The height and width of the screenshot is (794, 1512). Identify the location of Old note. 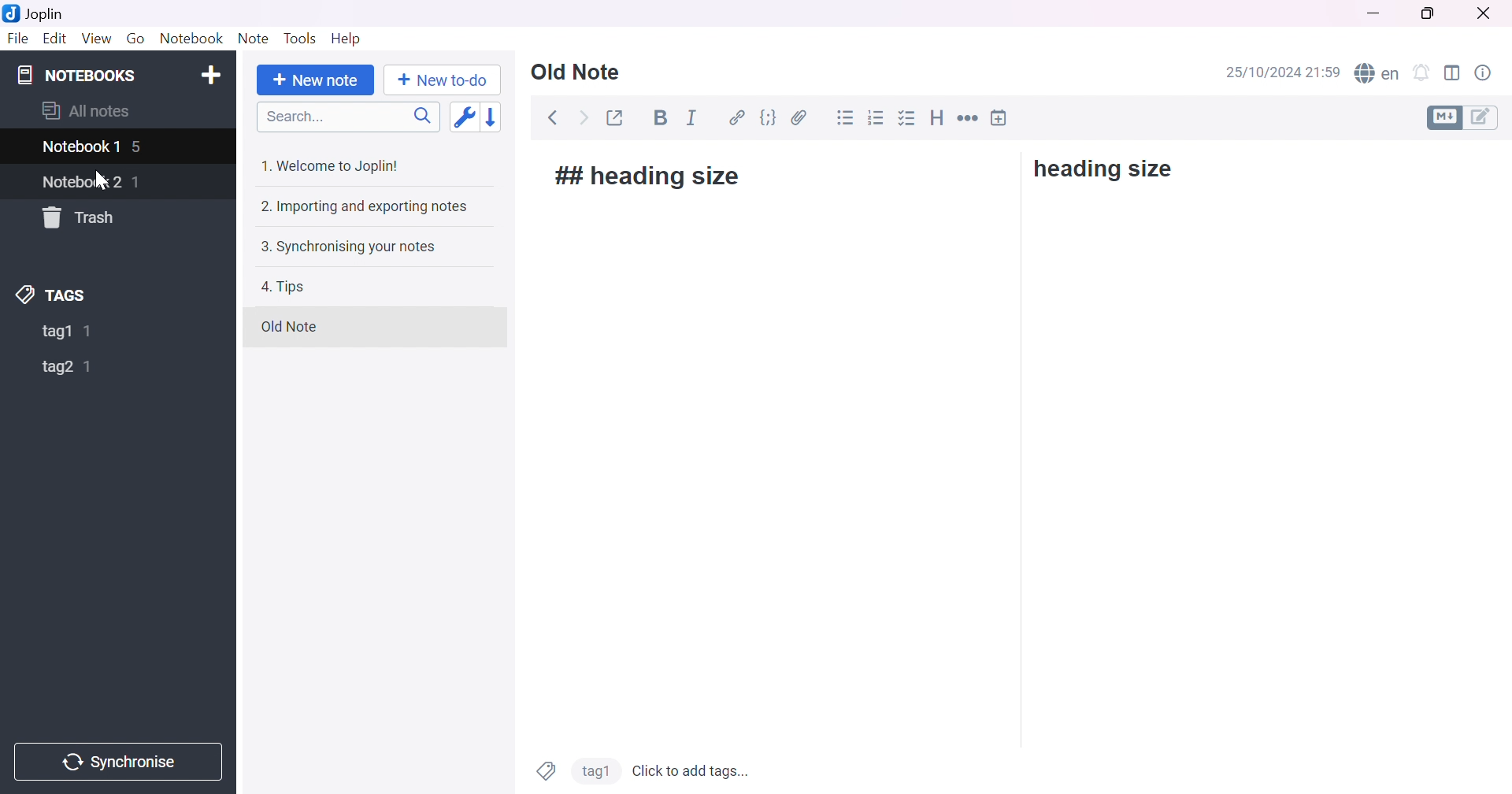
(287, 326).